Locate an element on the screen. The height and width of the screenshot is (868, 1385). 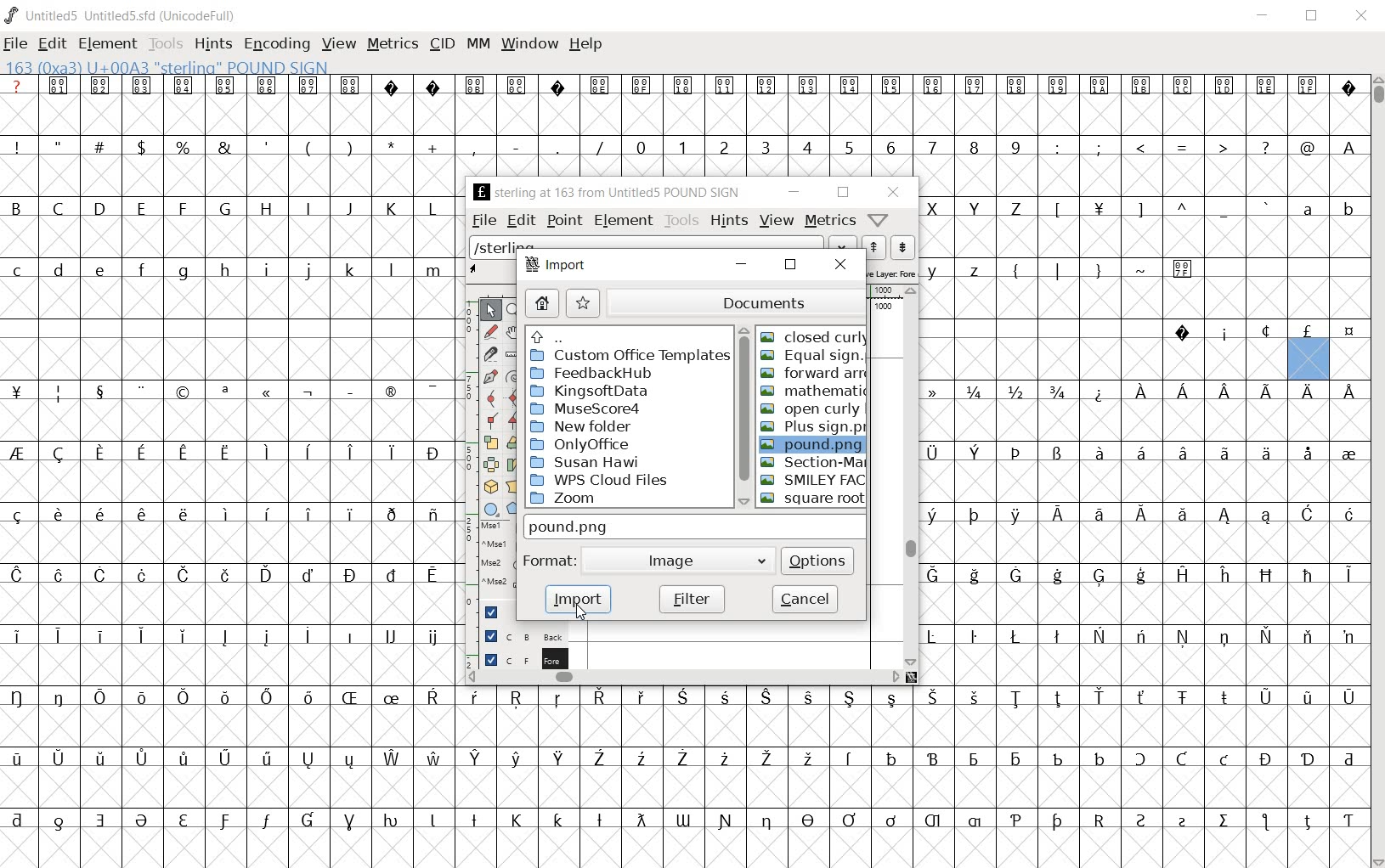
Untitled5 Untitled5.sfd (UnicodeFull) is located at coordinates (133, 18).